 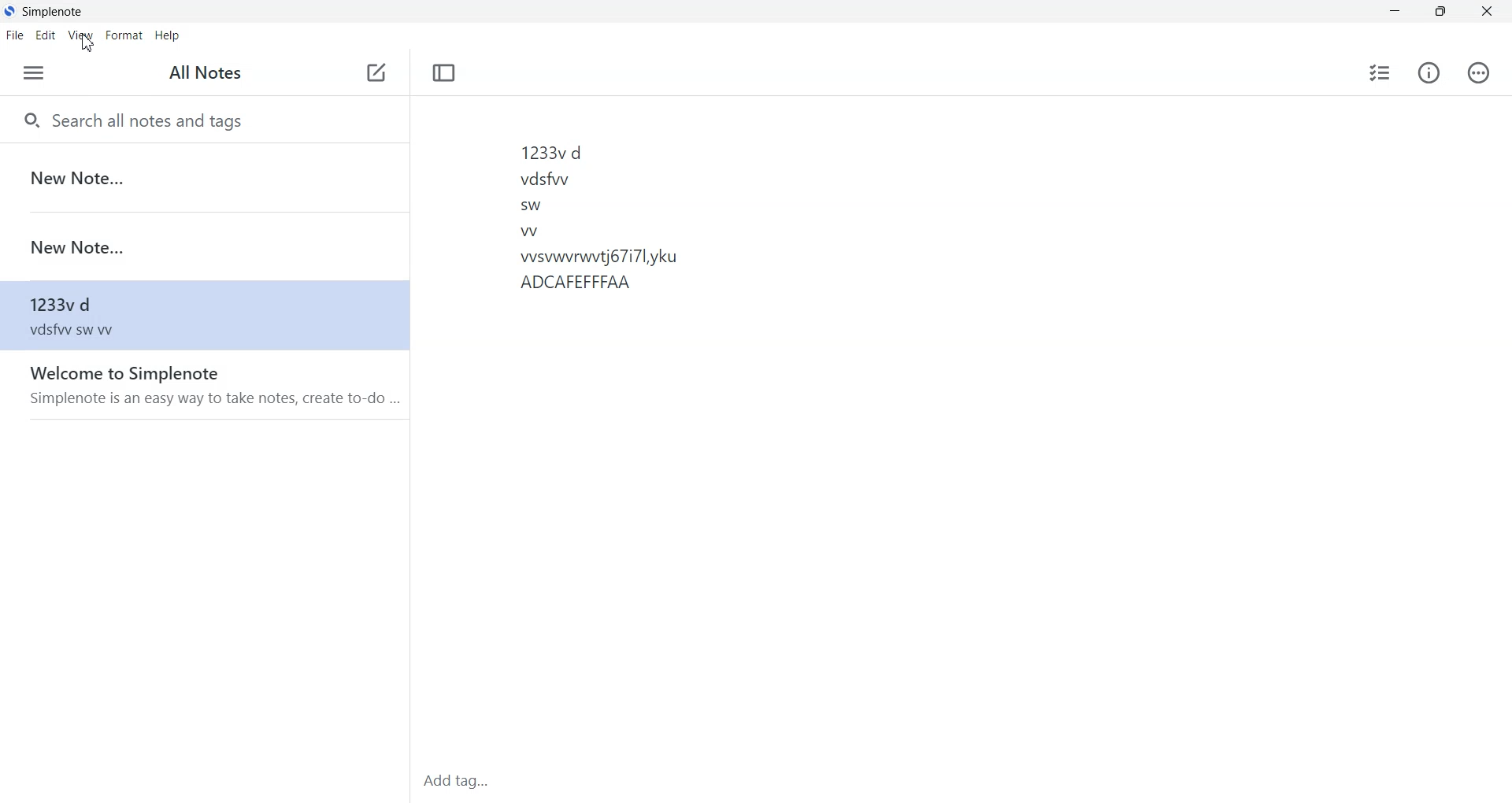 I want to click on Cursor, so click(x=89, y=43).